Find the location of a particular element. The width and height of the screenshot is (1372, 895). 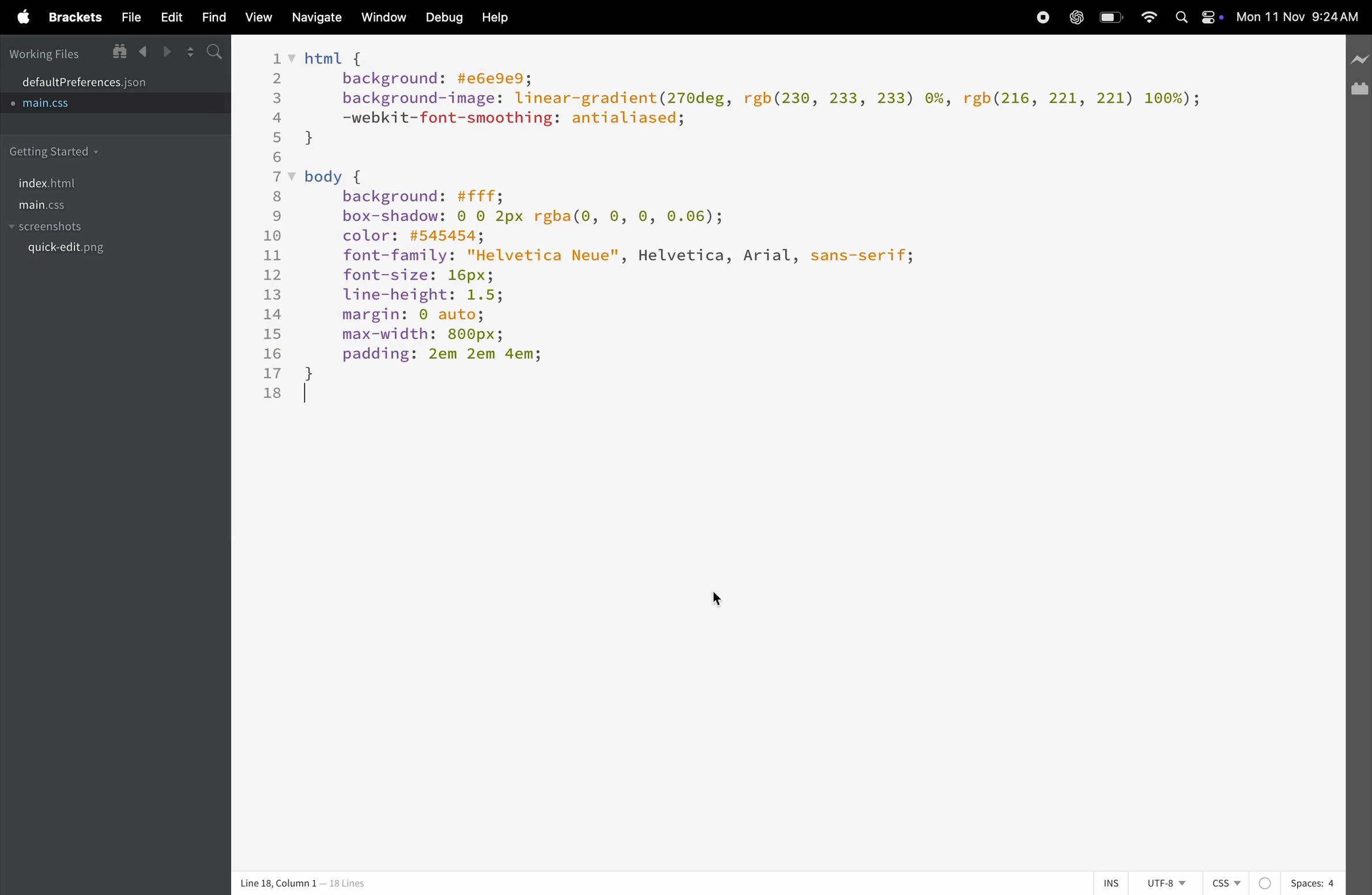

file is located at coordinates (126, 17).